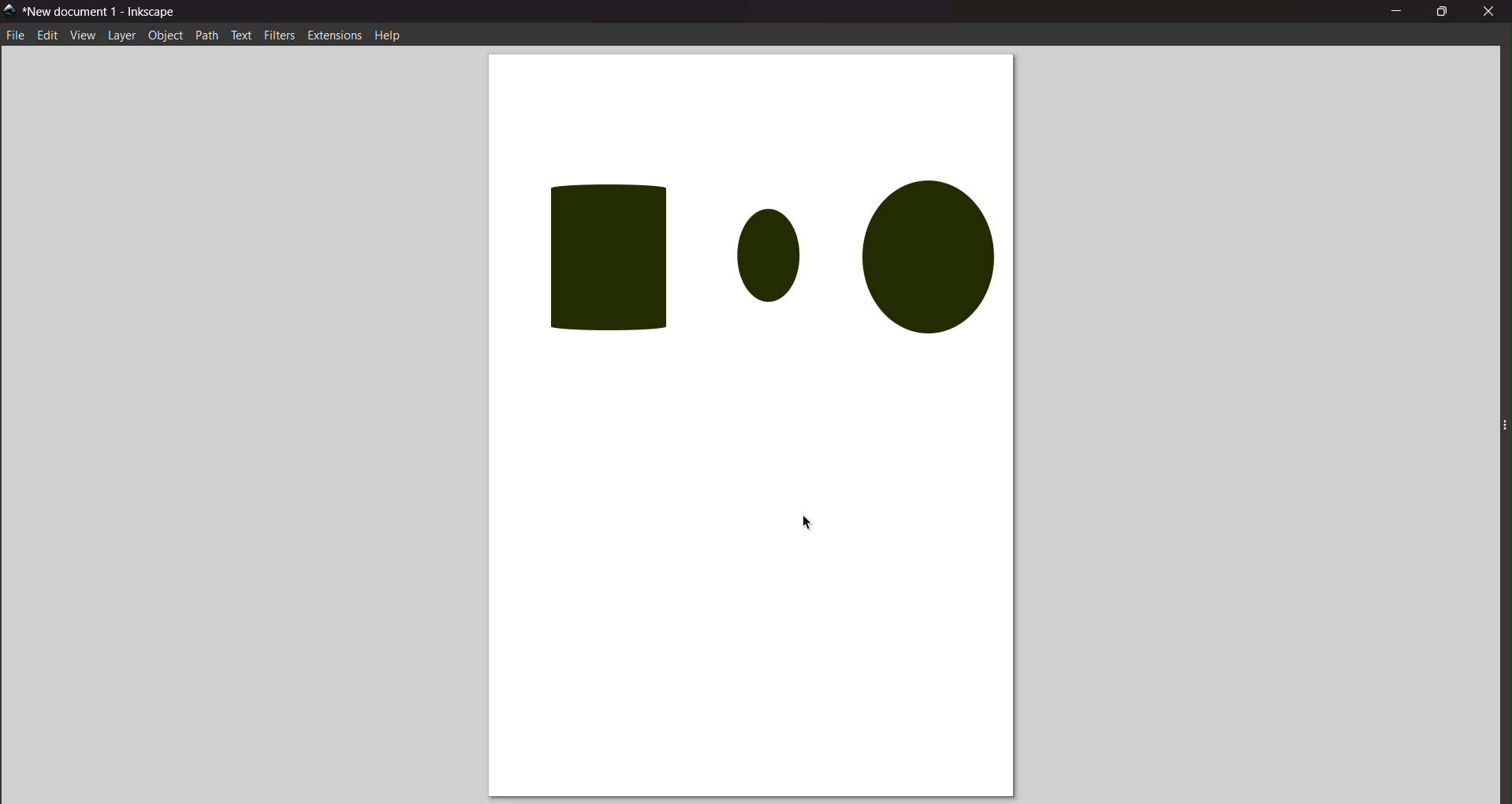 This screenshot has width=1512, height=804. I want to click on edit, so click(47, 35).